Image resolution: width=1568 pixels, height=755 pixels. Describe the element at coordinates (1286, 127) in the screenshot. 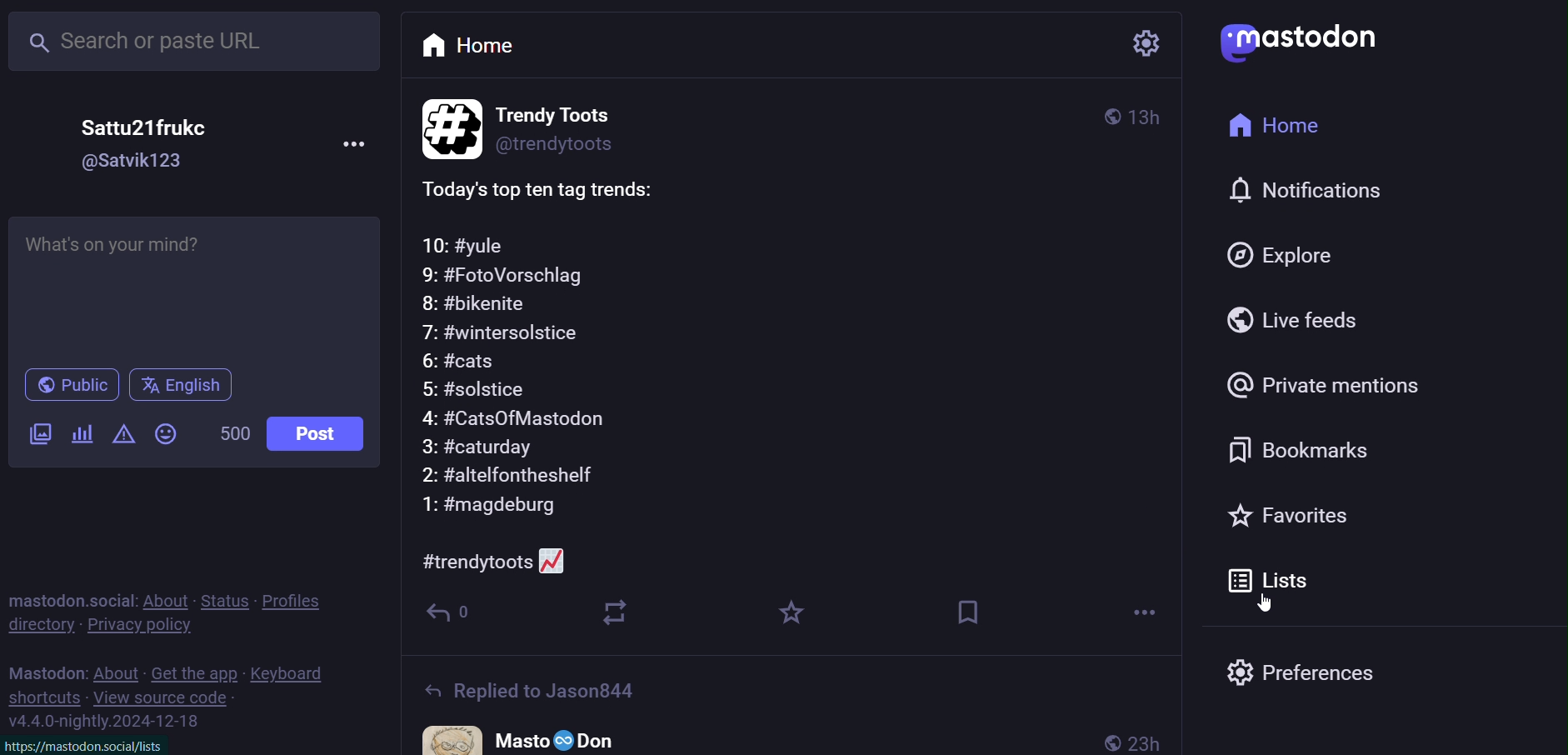

I see `home` at that location.